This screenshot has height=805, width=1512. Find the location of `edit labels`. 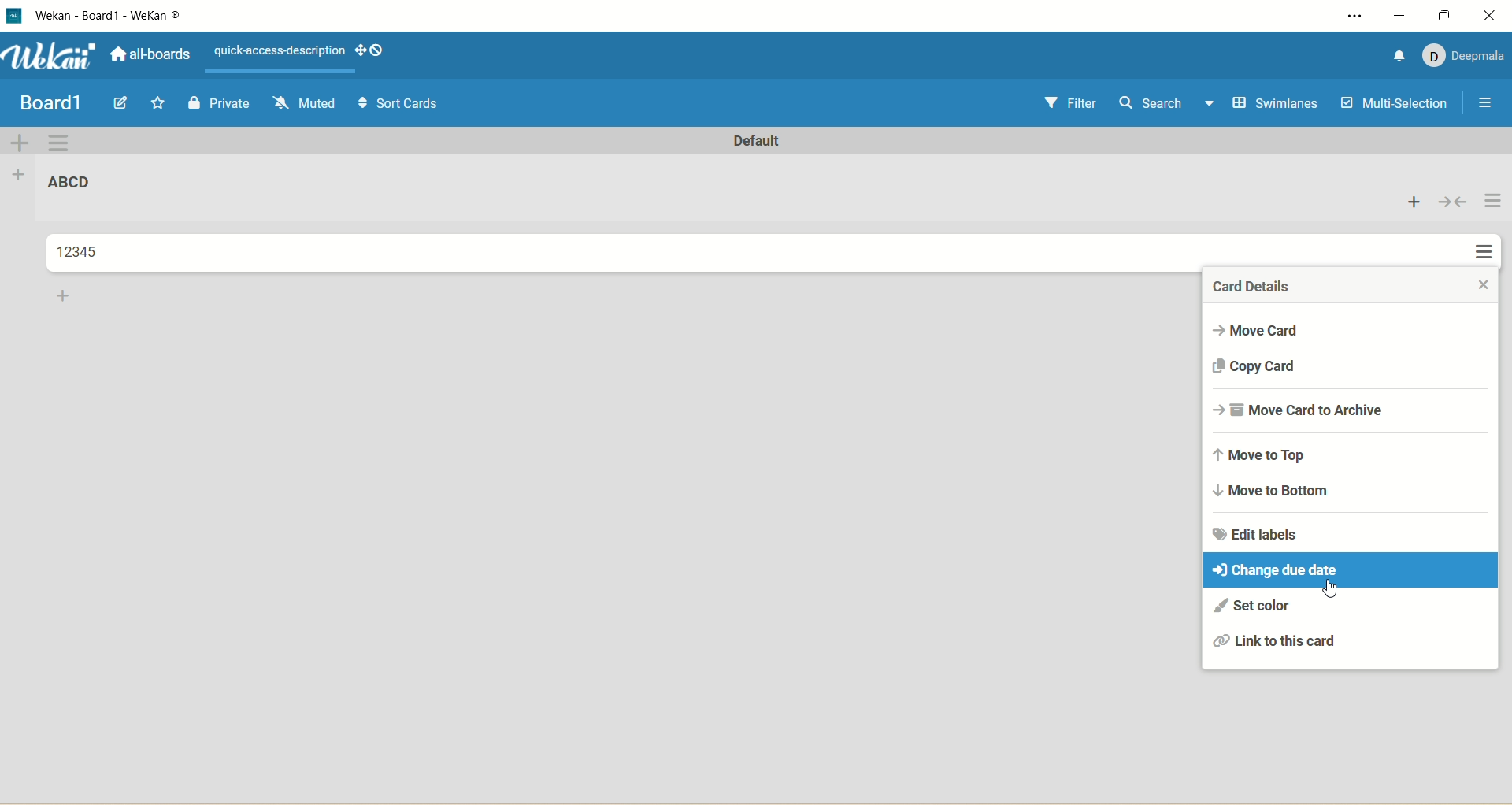

edit labels is located at coordinates (1256, 533).